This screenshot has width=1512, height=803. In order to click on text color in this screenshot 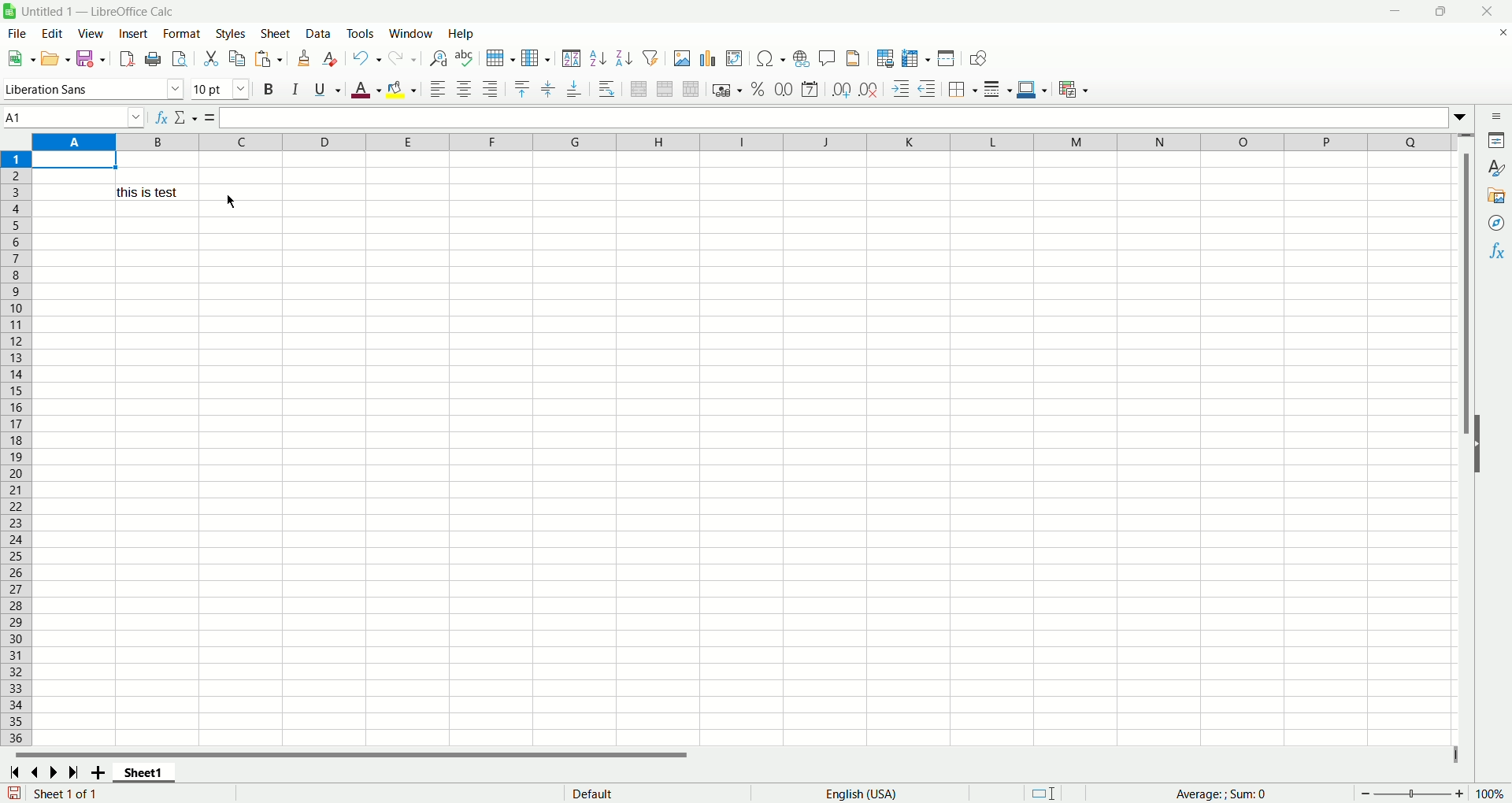, I will do `click(368, 91)`.